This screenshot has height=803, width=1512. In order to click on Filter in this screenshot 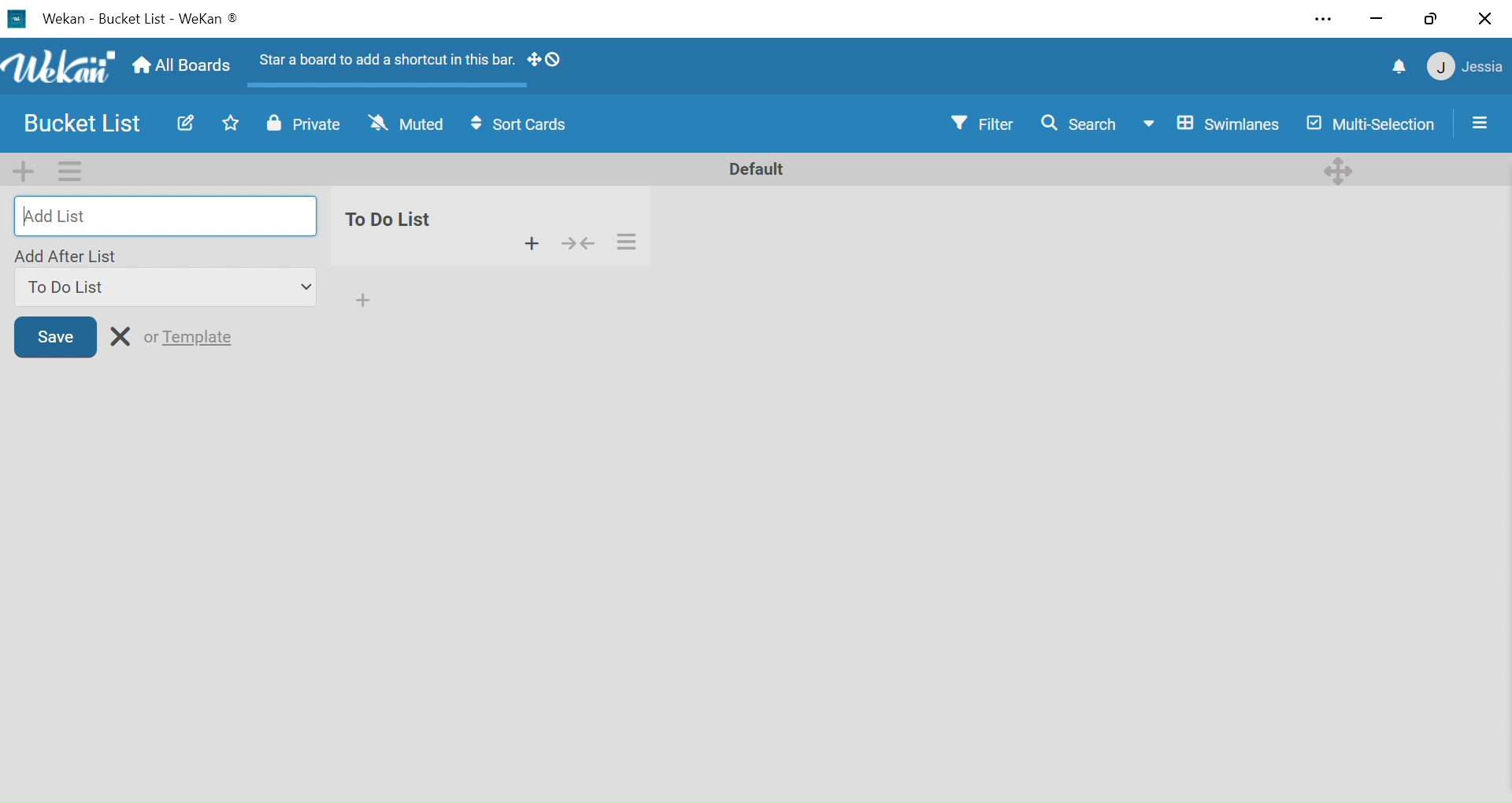, I will do `click(985, 124)`.